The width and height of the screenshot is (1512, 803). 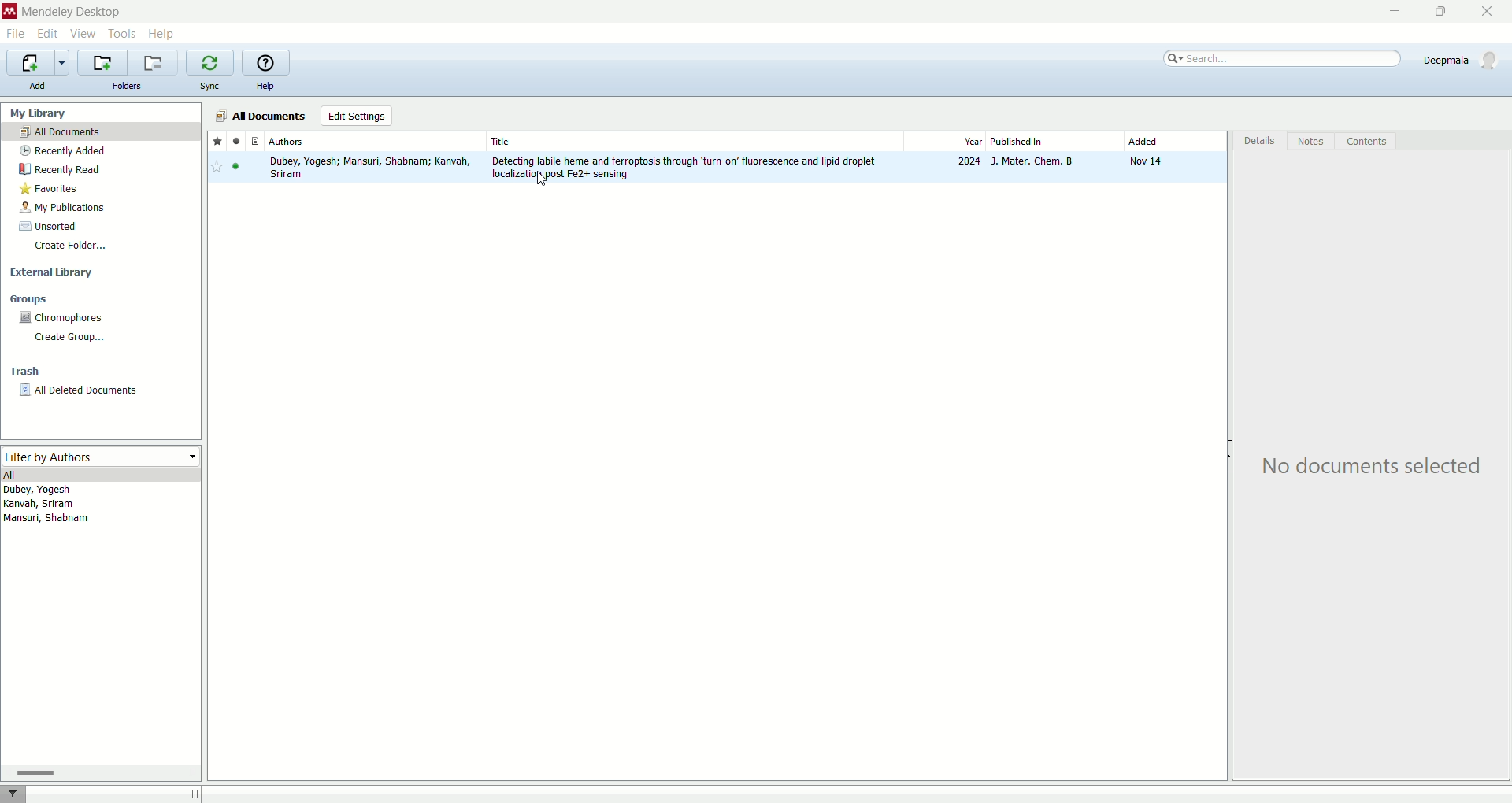 I want to click on trash, so click(x=23, y=372).